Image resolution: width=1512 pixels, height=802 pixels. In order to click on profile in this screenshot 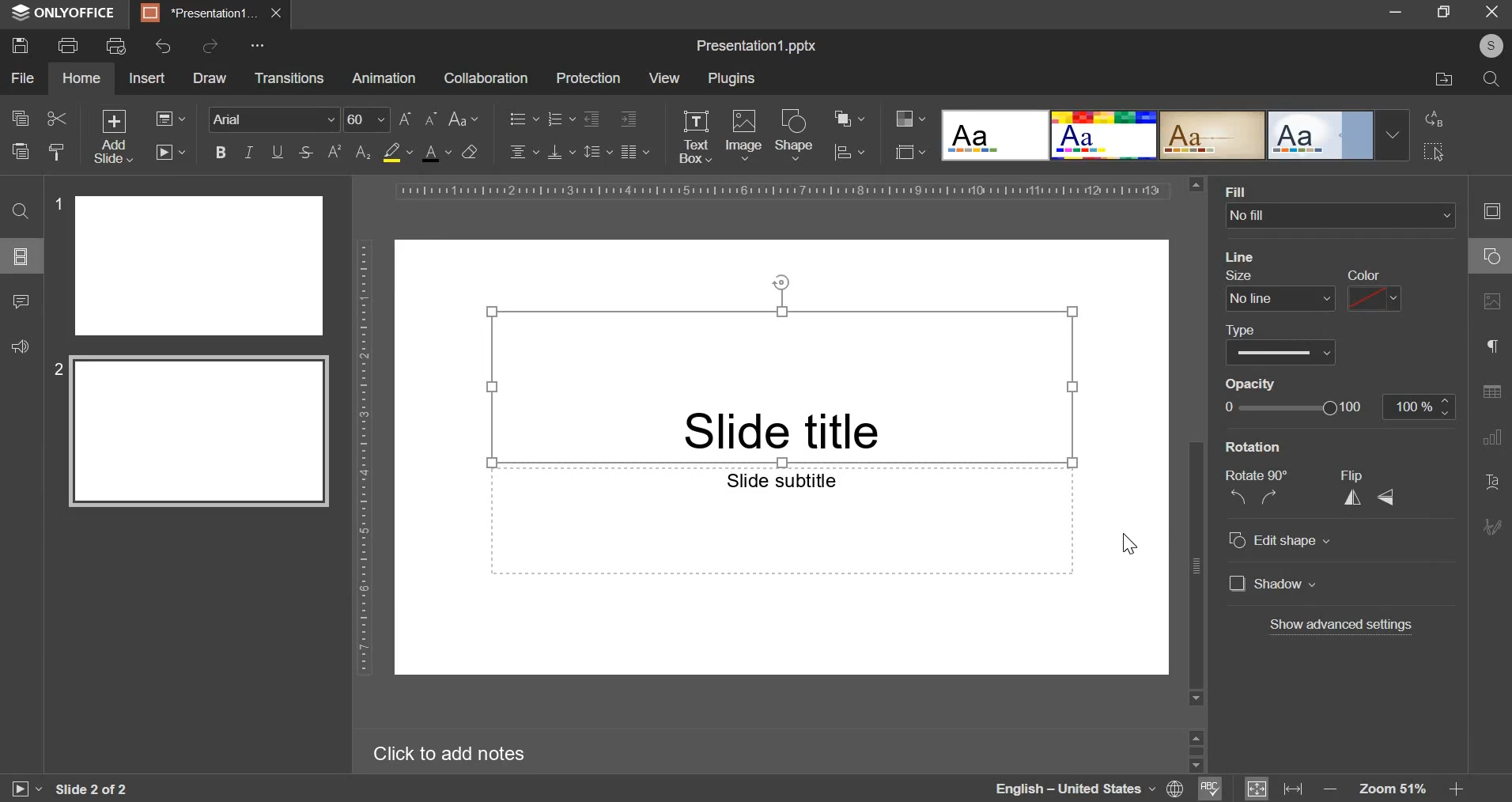, I will do `click(1487, 47)`.